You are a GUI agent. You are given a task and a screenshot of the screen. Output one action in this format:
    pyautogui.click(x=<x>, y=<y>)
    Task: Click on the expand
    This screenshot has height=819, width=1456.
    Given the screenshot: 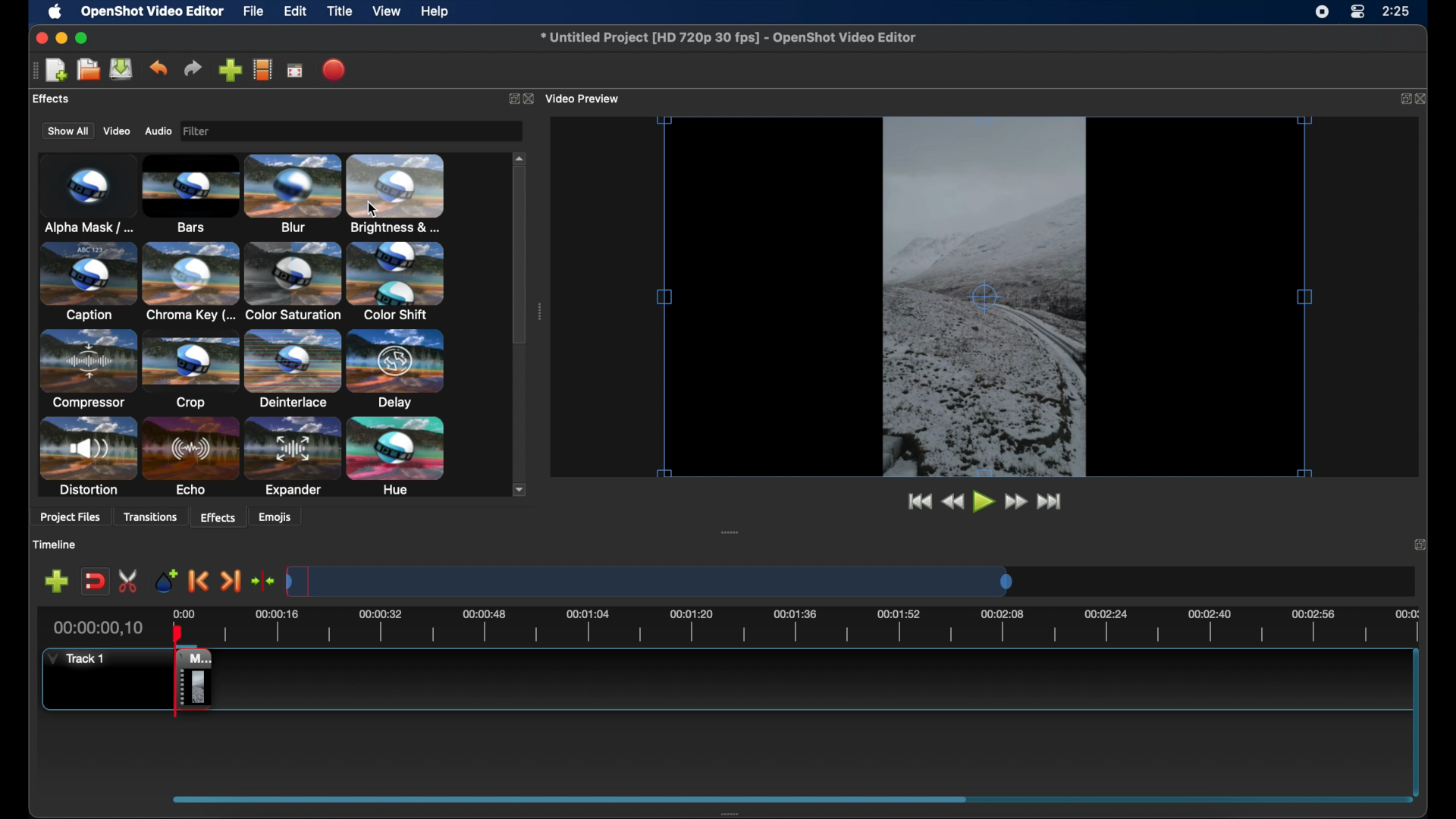 What is the action you would take?
    pyautogui.click(x=510, y=98)
    